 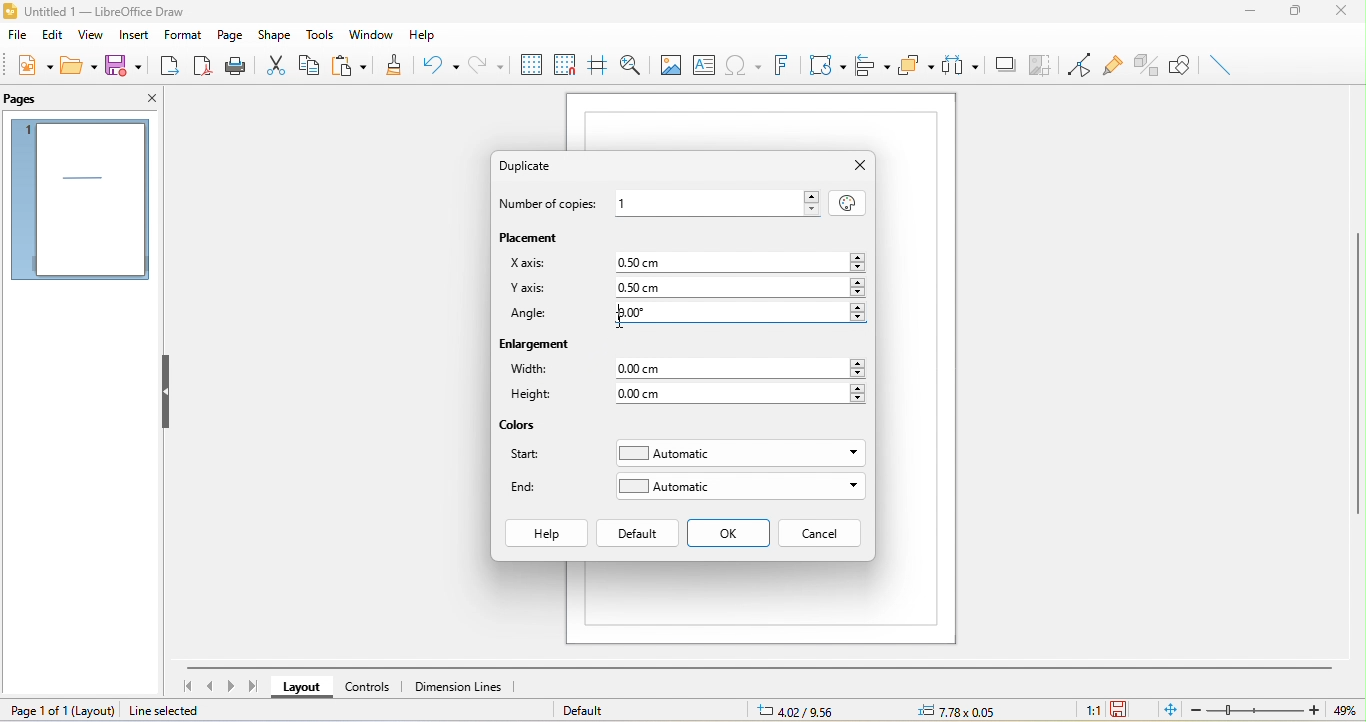 What do you see at coordinates (846, 201) in the screenshot?
I see `values from selection` at bounding box center [846, 201].